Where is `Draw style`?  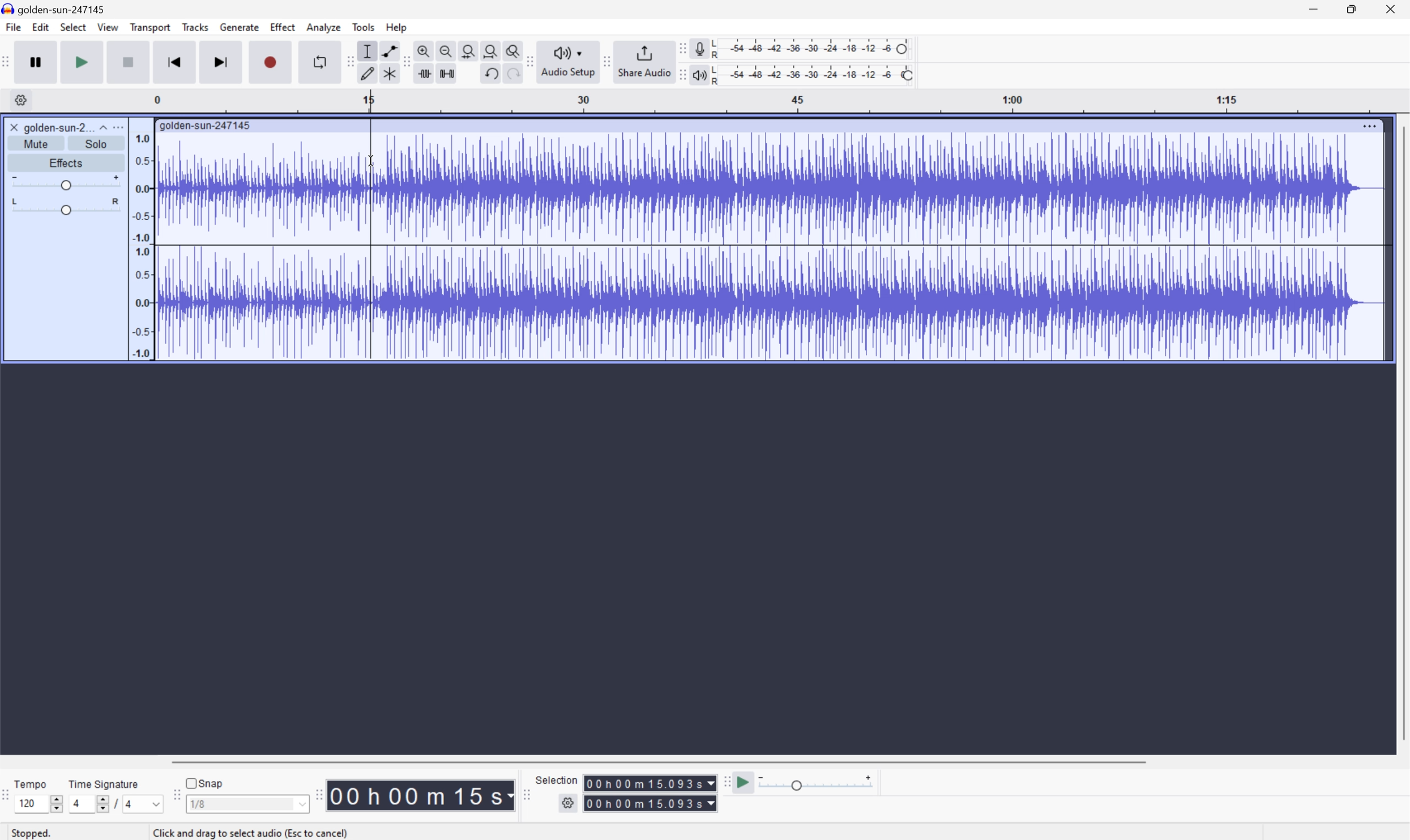
Draw style is located at coordinates (369, 72).